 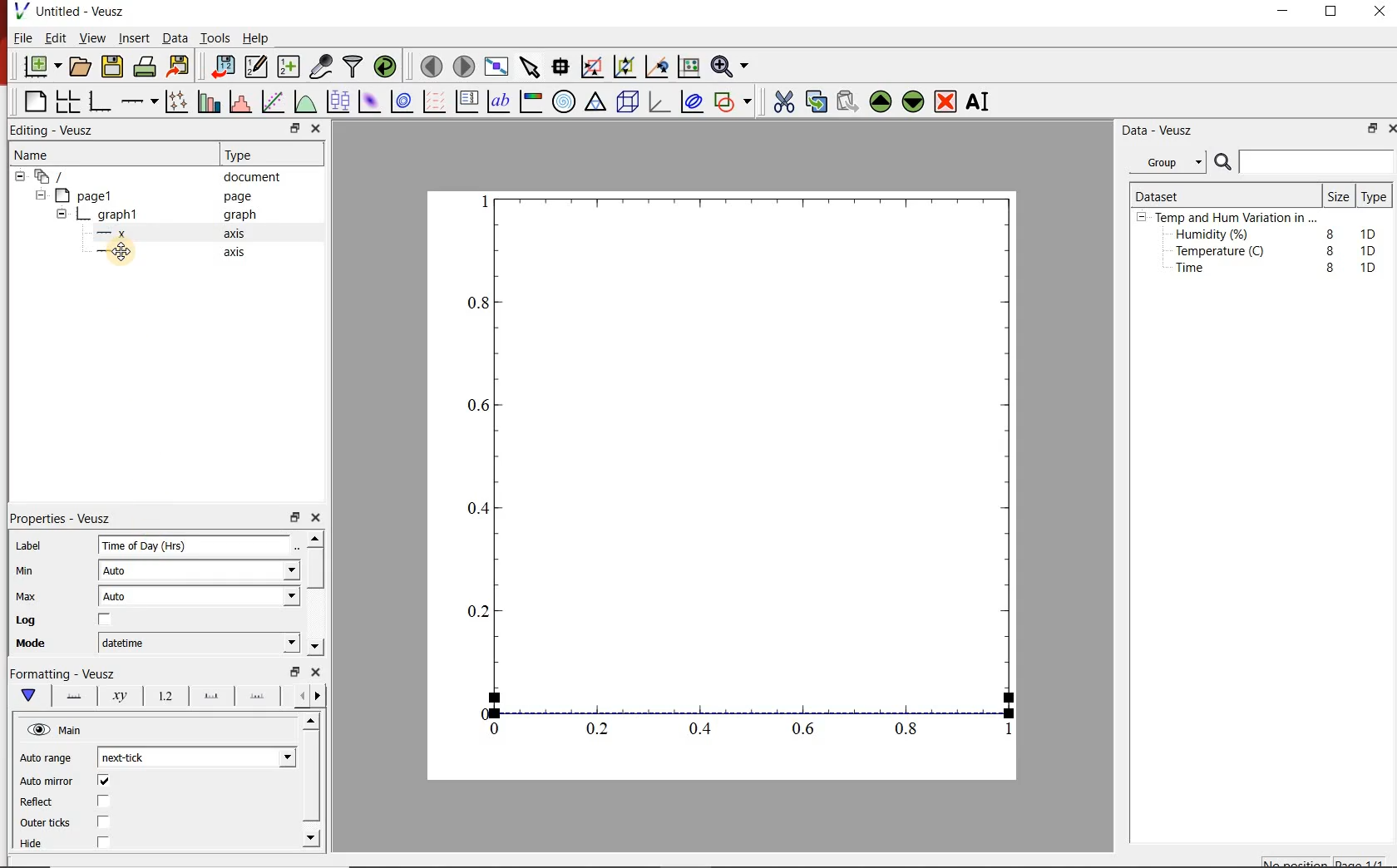 What do you see at coordinates (470, 101) in the screenshot?
I see `plot key` at bounding box center [470, 101].